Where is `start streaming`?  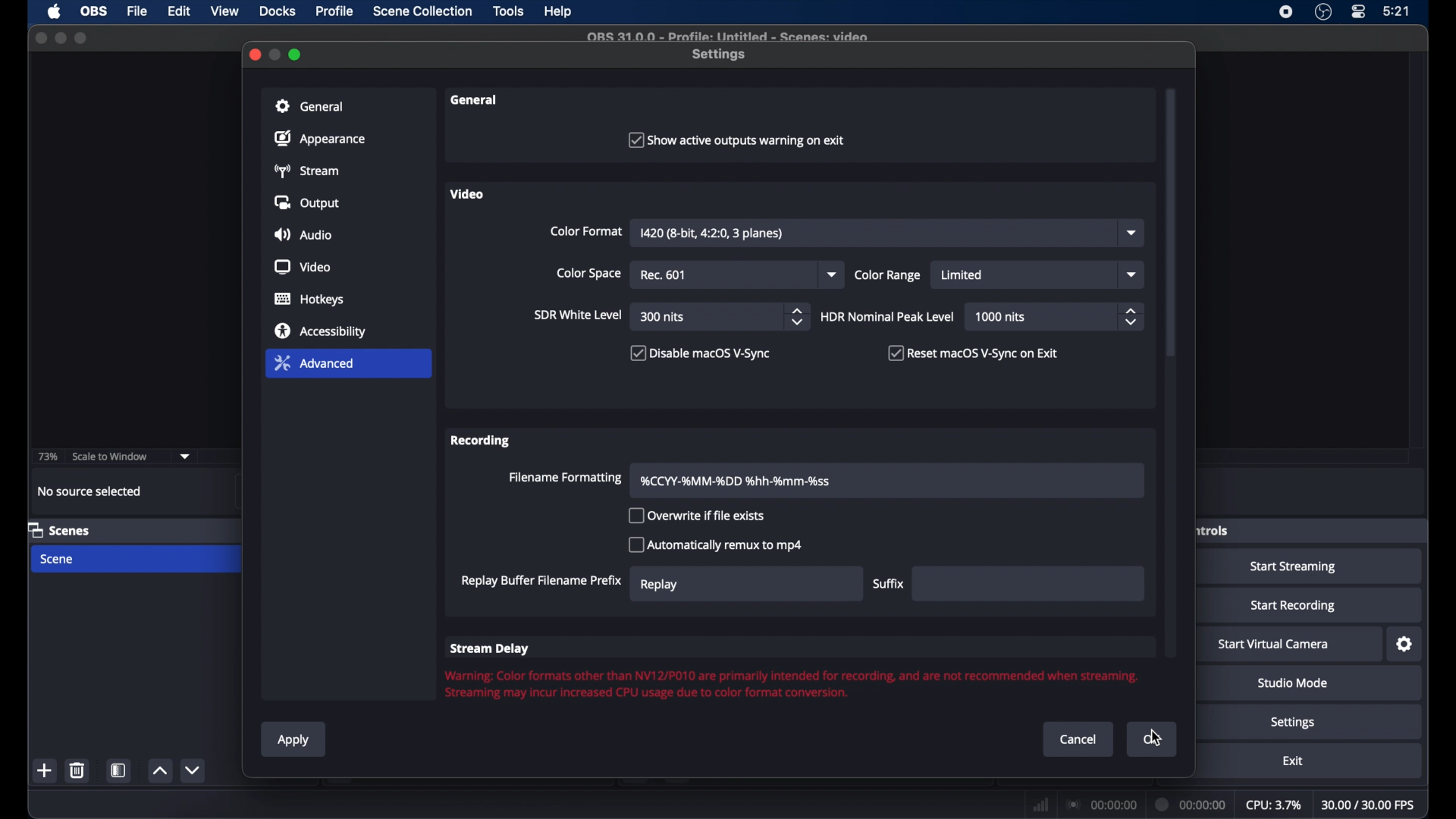 start streaming is located at coordinates (1297, 567).